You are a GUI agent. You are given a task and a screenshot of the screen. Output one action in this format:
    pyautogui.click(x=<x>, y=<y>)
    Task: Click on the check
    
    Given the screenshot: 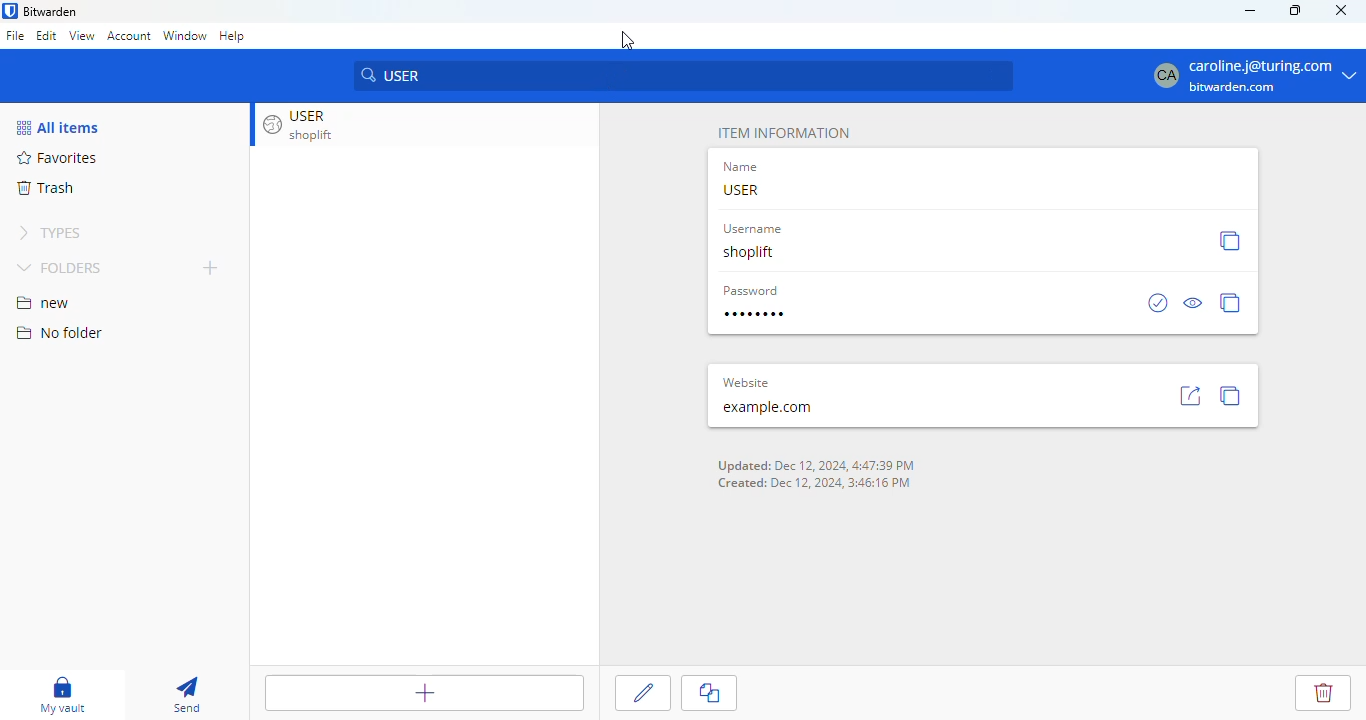 What is the action you would take?
    pyautogui.click(x=1153, y=302)
    